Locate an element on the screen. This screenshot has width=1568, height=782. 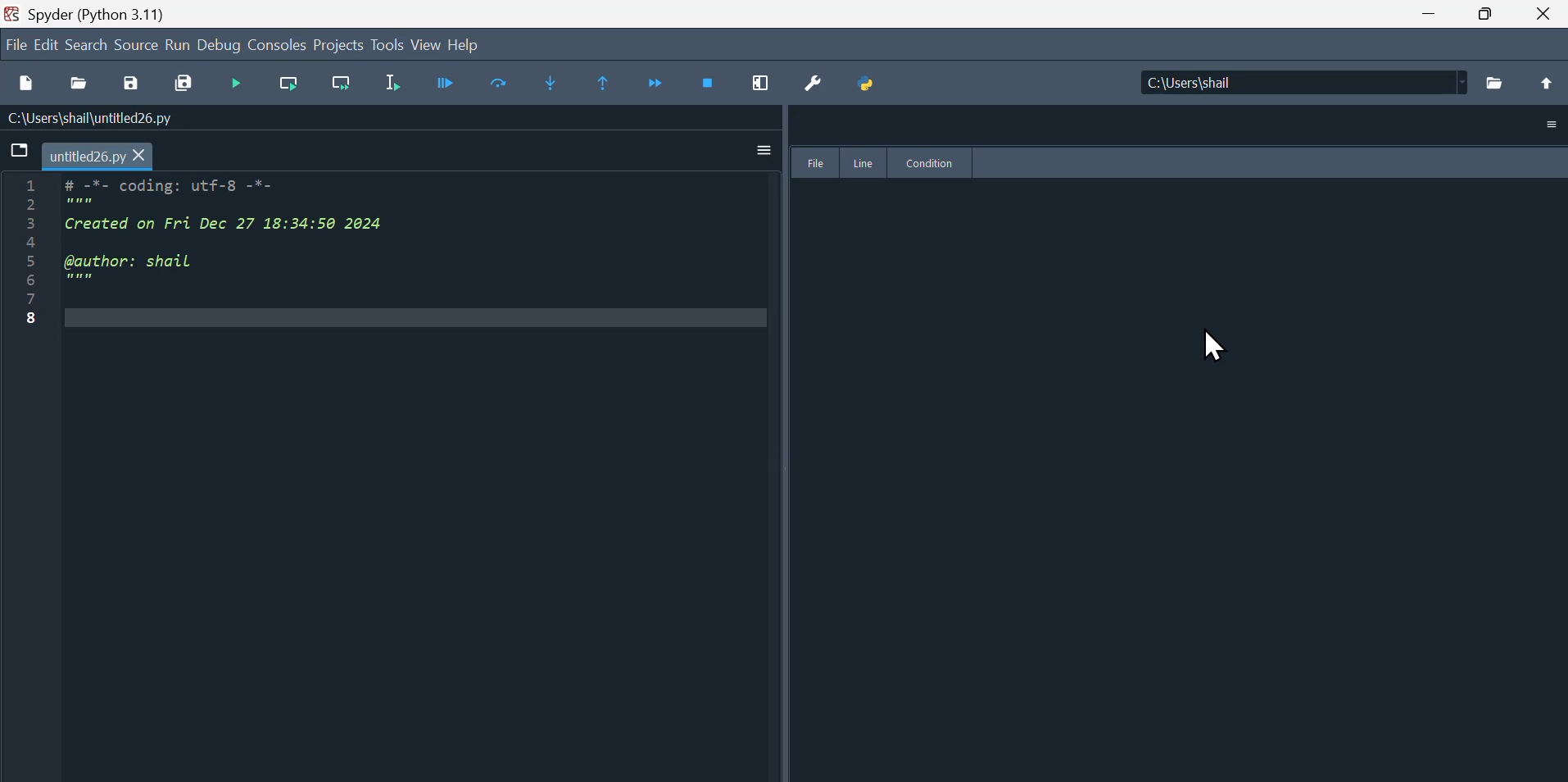
| C:\Users\shail is located at coordinates (1300, 84).